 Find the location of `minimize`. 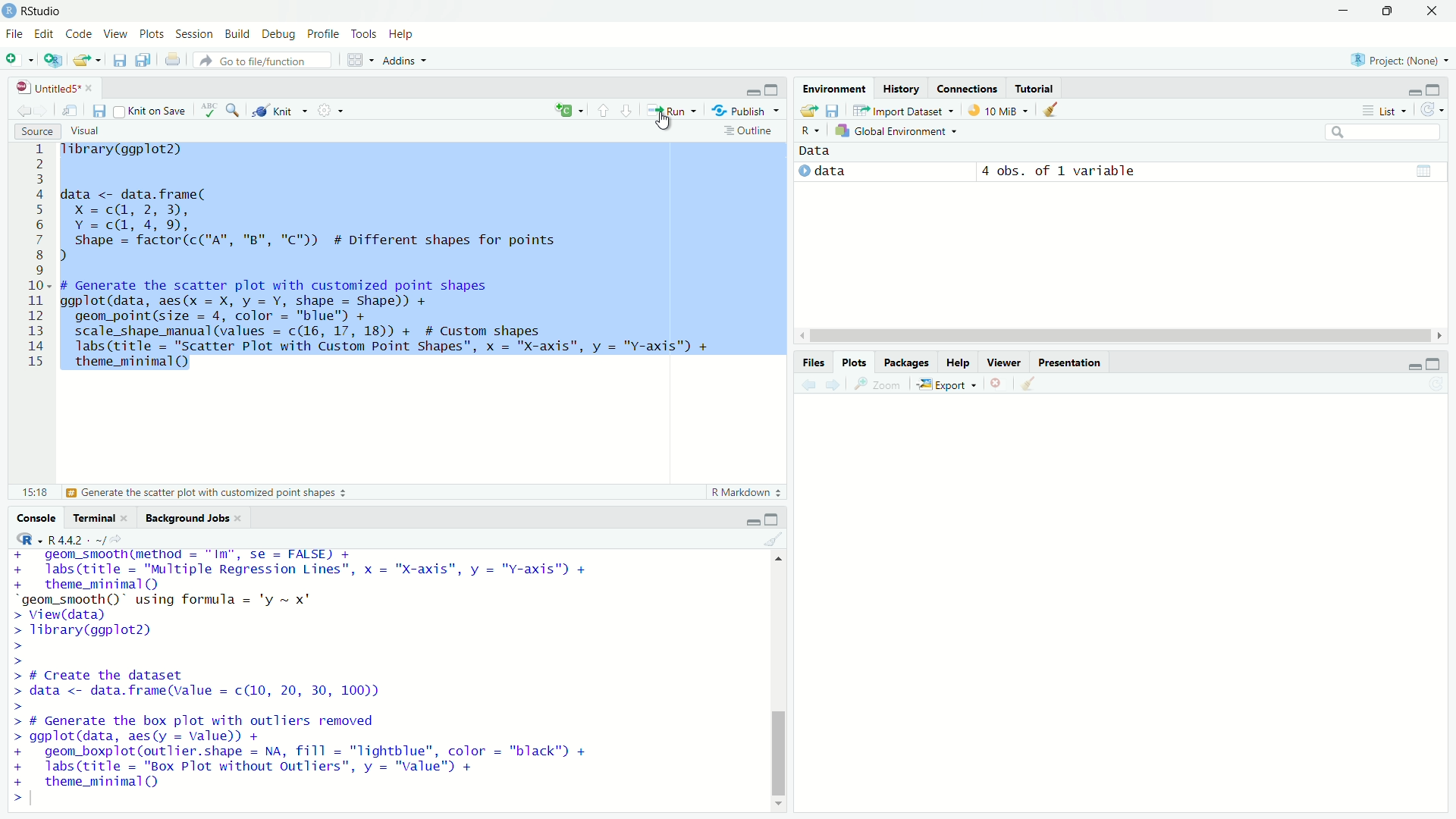

minimize is located at coordinates (1345, 11).